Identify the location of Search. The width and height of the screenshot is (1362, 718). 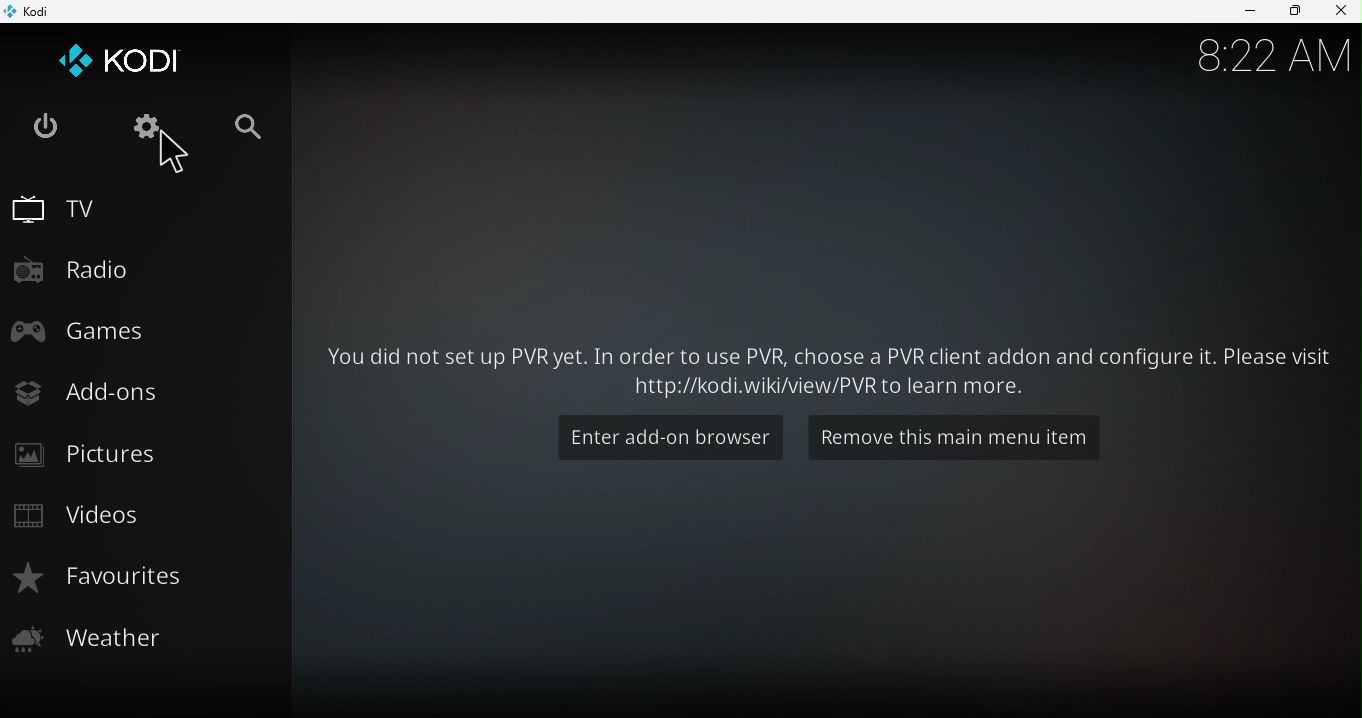
(256, 125).